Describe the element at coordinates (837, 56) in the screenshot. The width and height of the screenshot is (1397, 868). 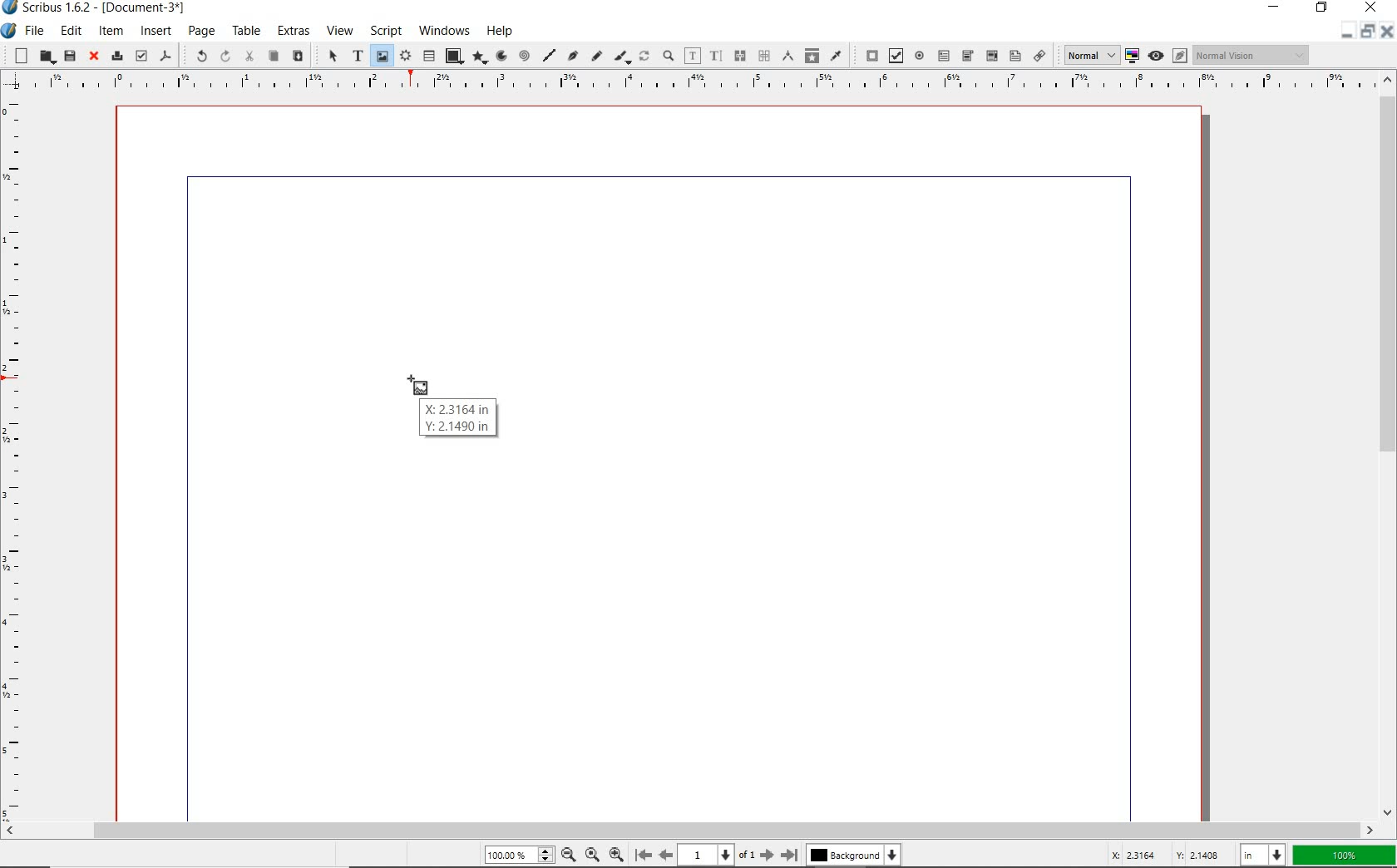
I see `eye dropper` at that location.